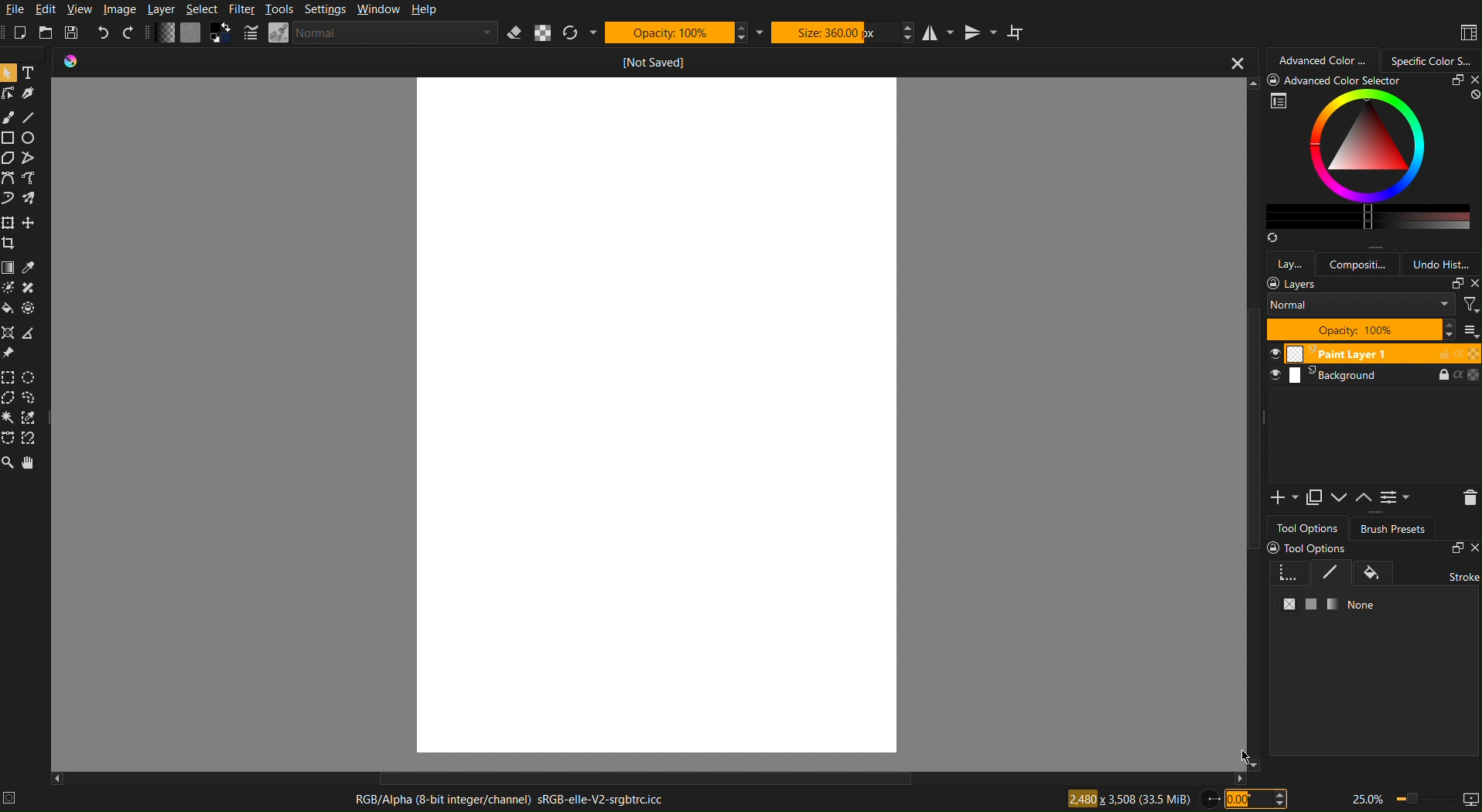  I want to click on vanishing Point Assistant Tool, so click(8, 332).